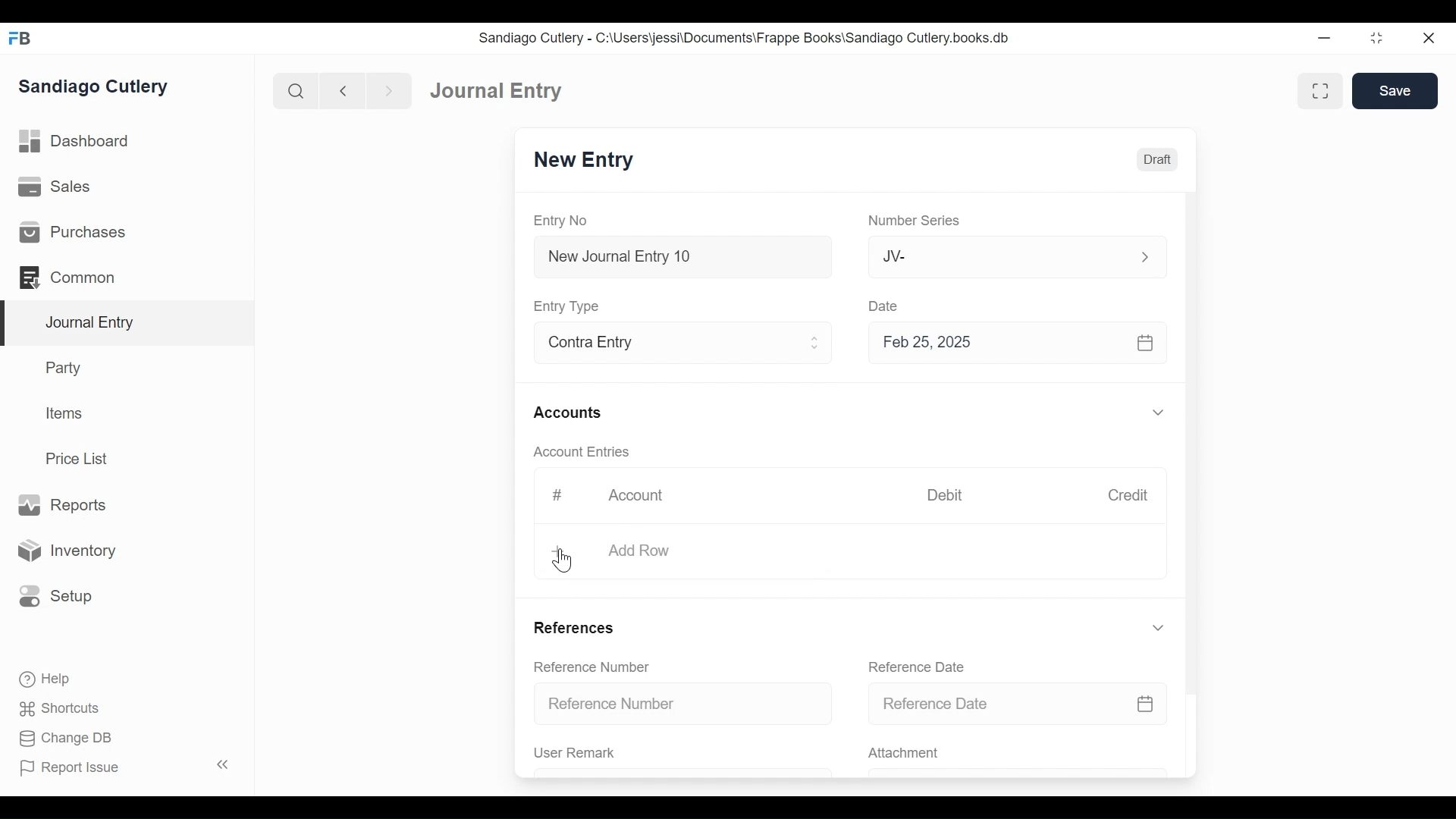  I want to click on Purchases, so click(73, 233).